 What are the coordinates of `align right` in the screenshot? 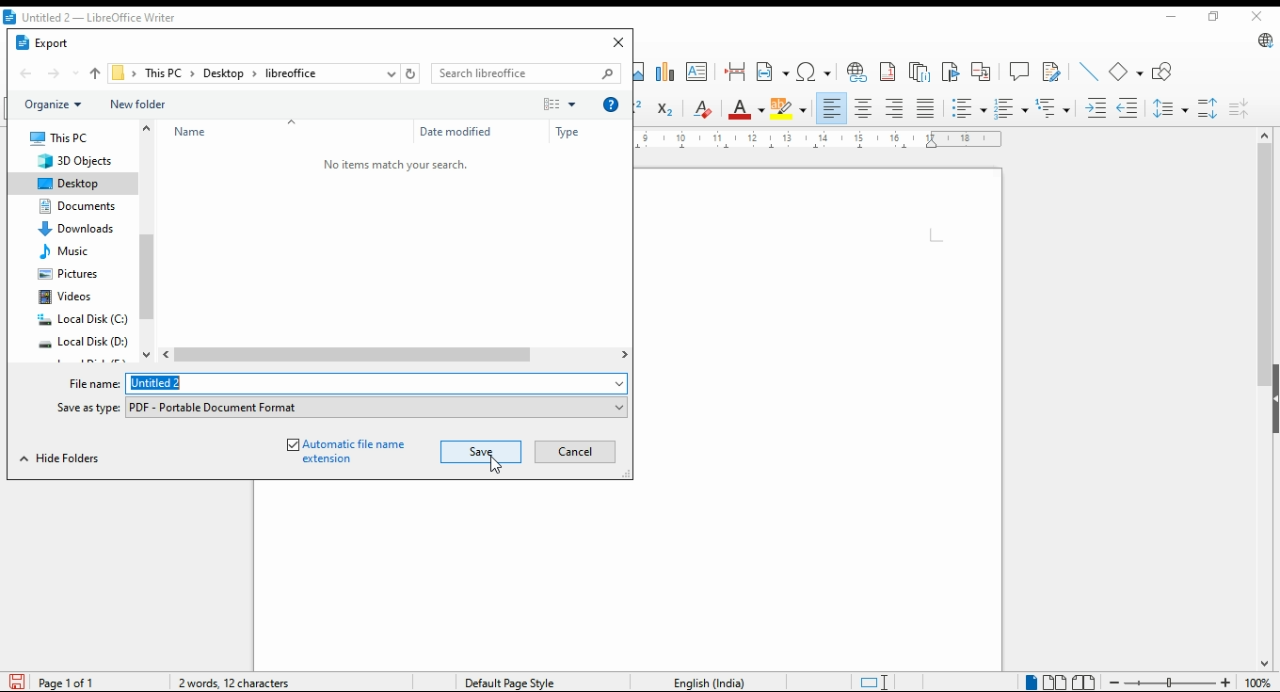 It's located at (896, 110).